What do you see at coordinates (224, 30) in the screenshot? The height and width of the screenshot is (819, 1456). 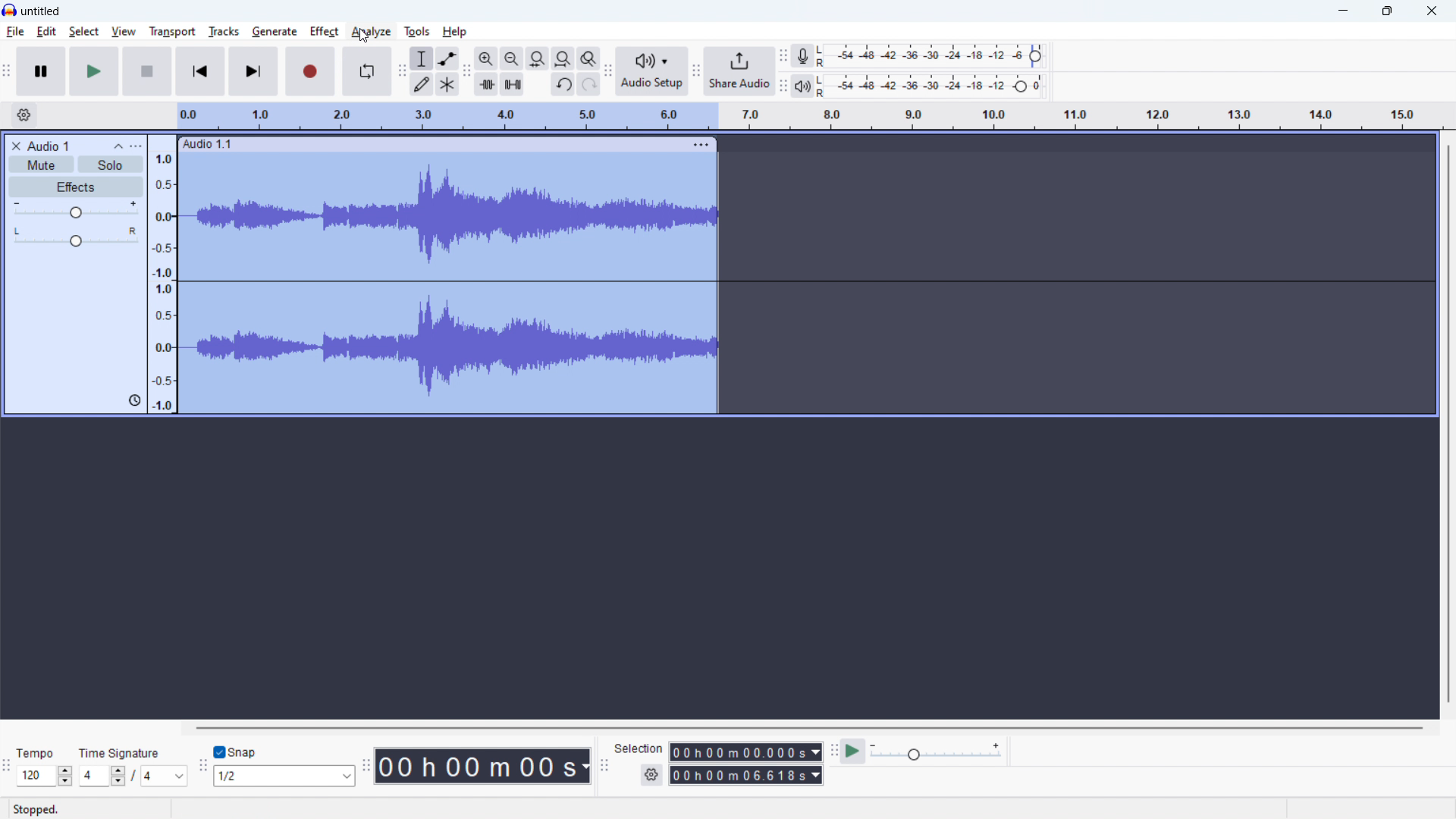 I see `tracks` at bounding box center [224, 30].